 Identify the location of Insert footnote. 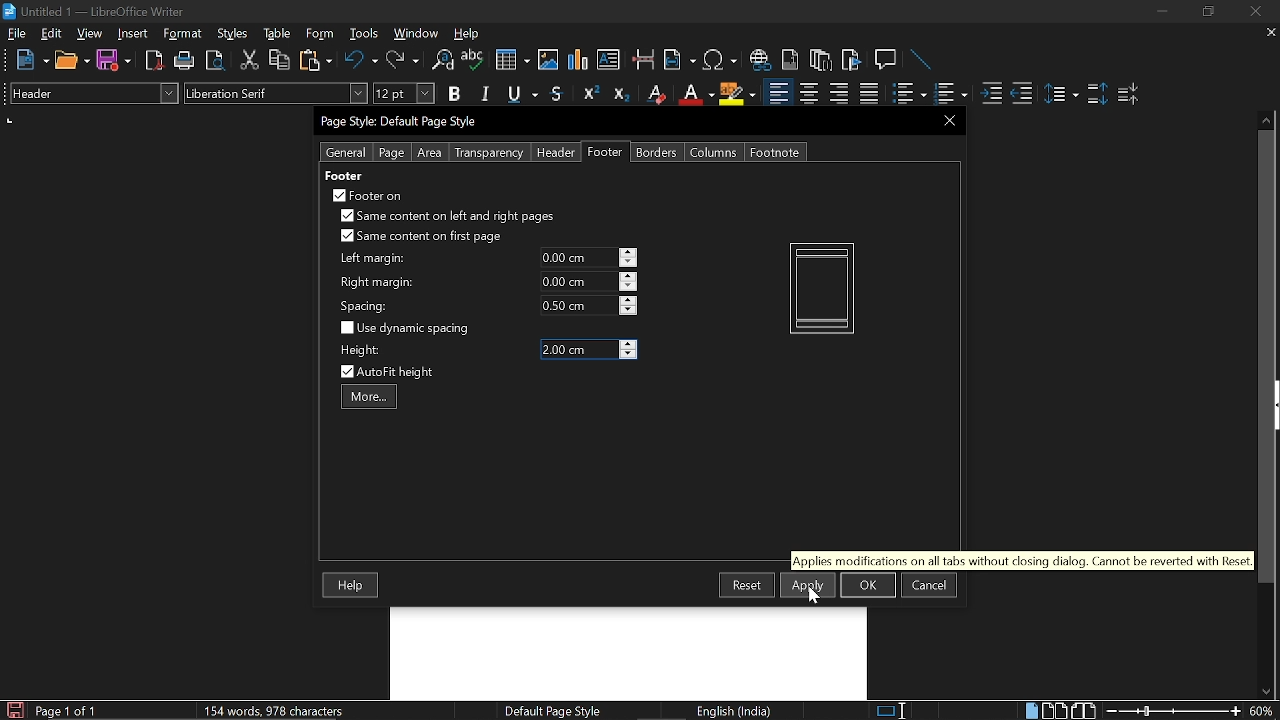
(821, 60).